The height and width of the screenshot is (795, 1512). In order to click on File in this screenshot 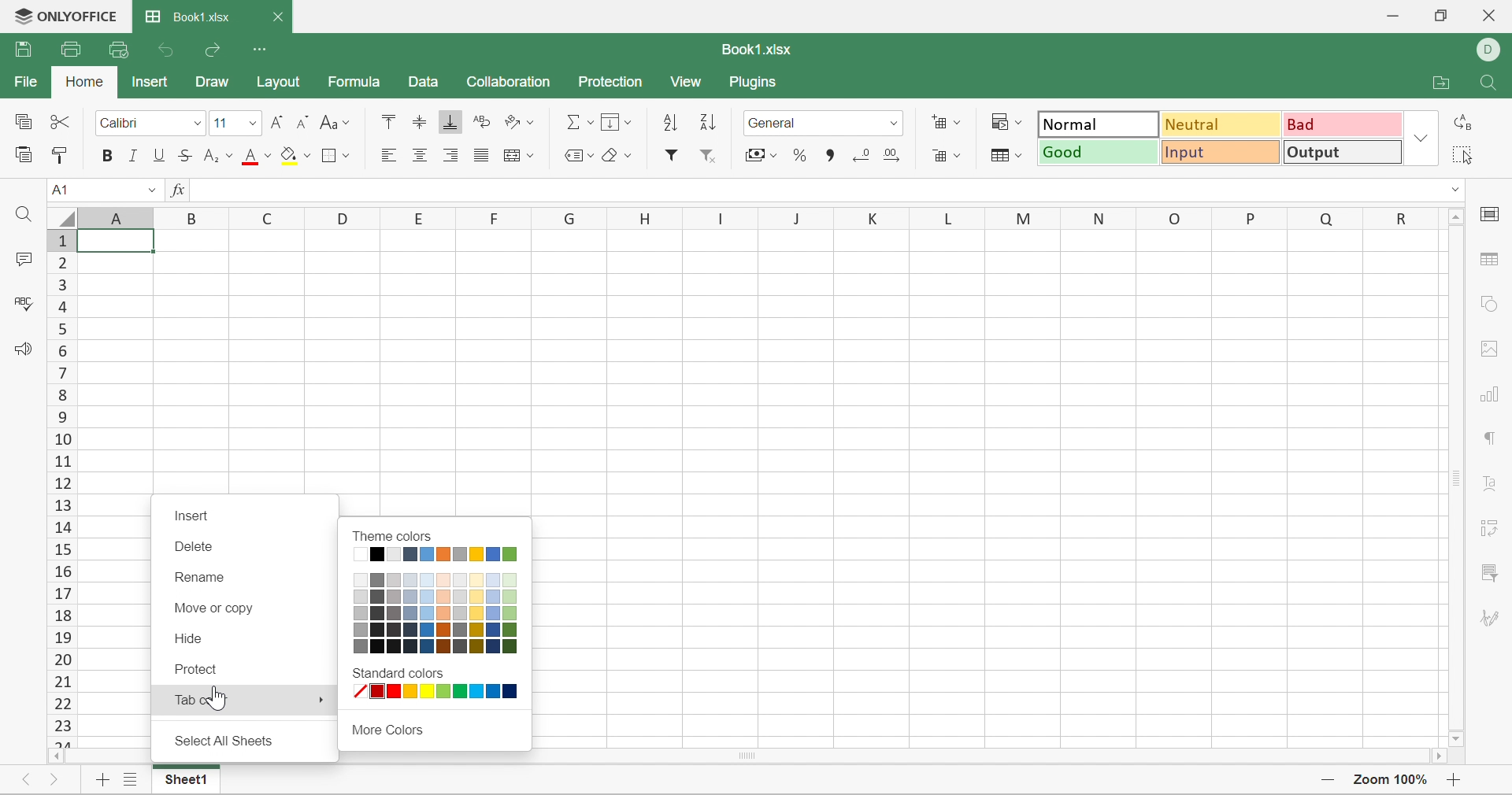, I will do `click(27, 83)`.